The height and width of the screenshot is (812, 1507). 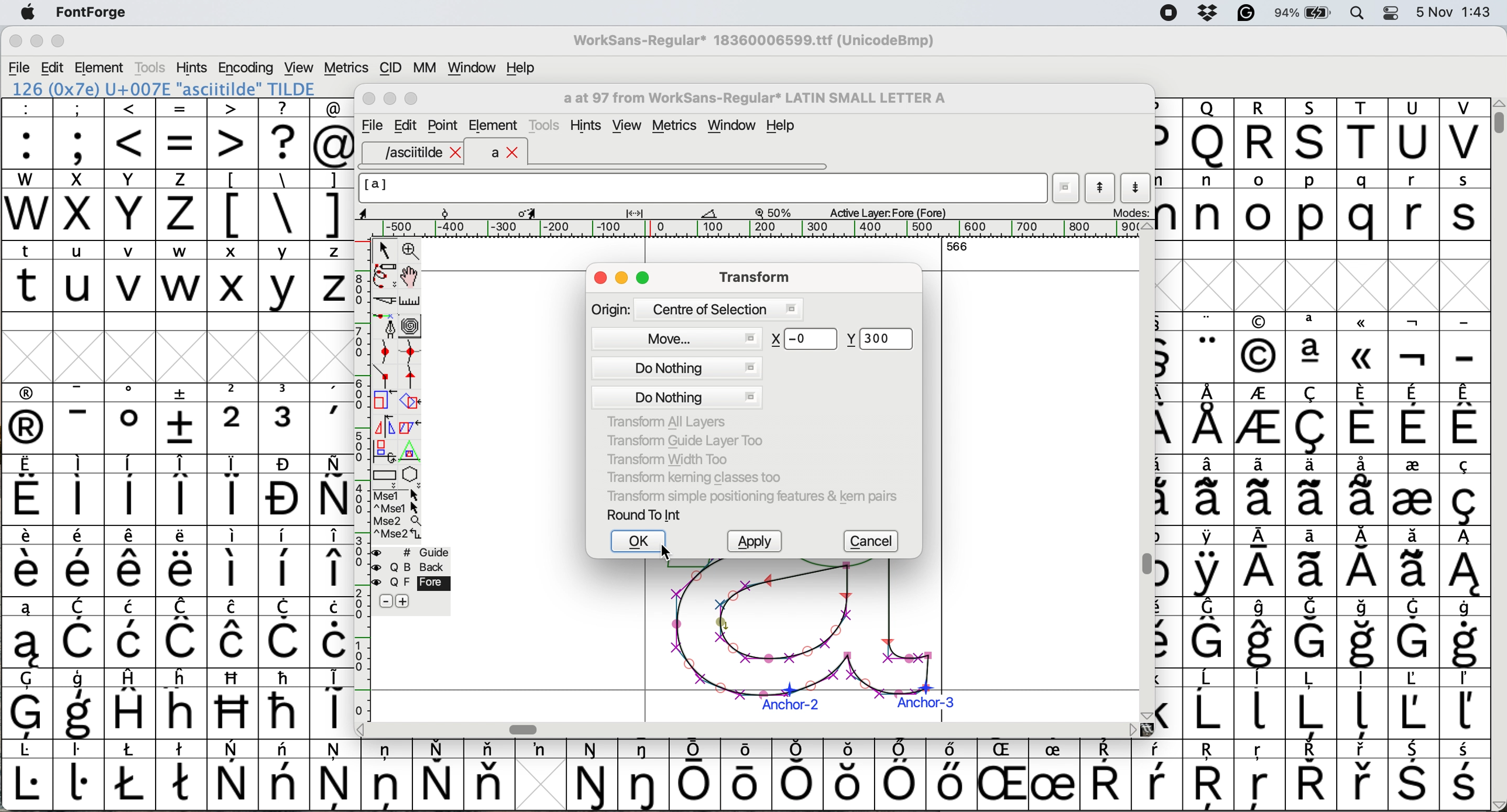 What do you see at coordinates (336, 774) in the screenshot?
I see `symbol` at bounding box center [336, 774].